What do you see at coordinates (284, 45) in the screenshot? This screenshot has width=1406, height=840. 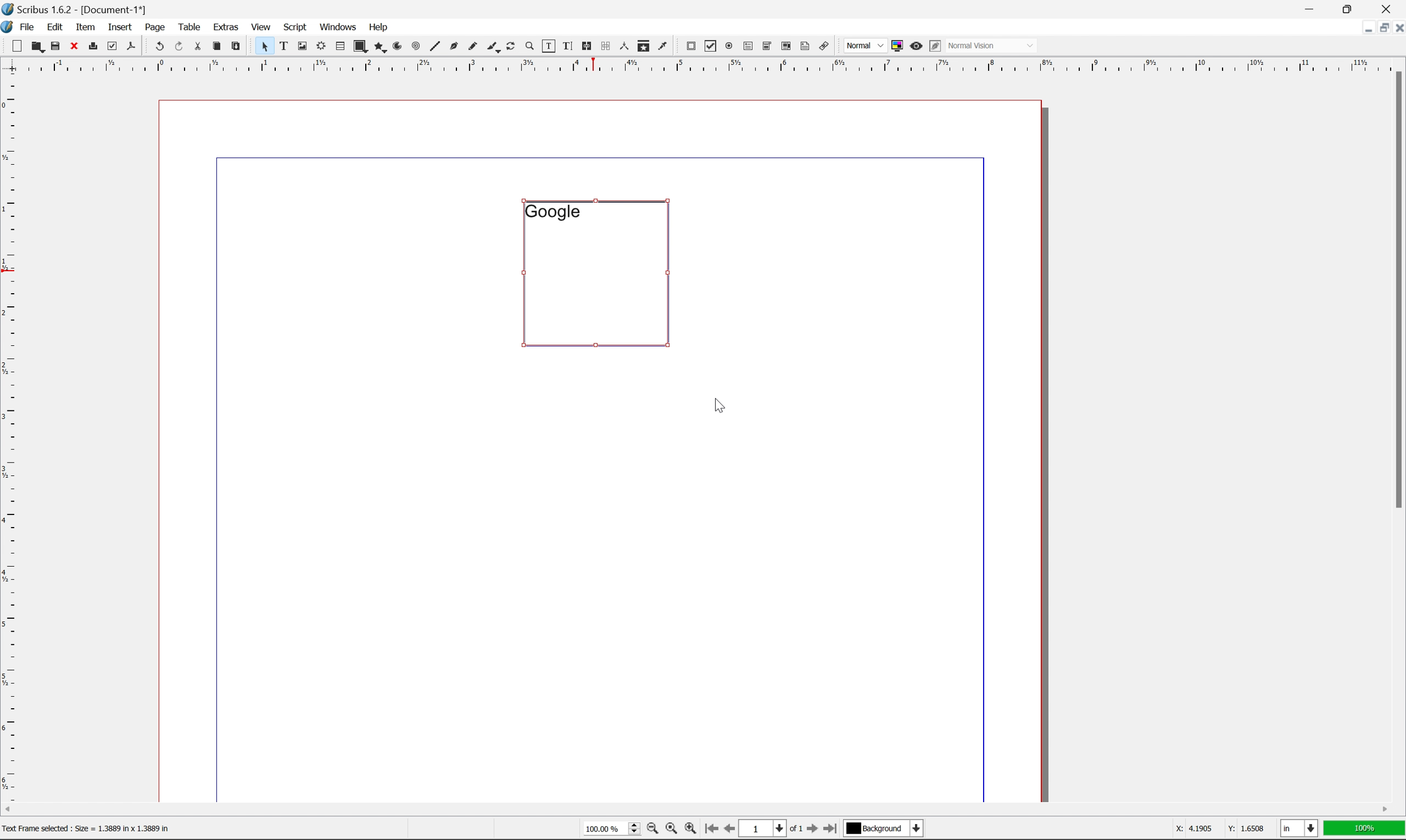 I see `text frame` at bounding box center [284, 45].